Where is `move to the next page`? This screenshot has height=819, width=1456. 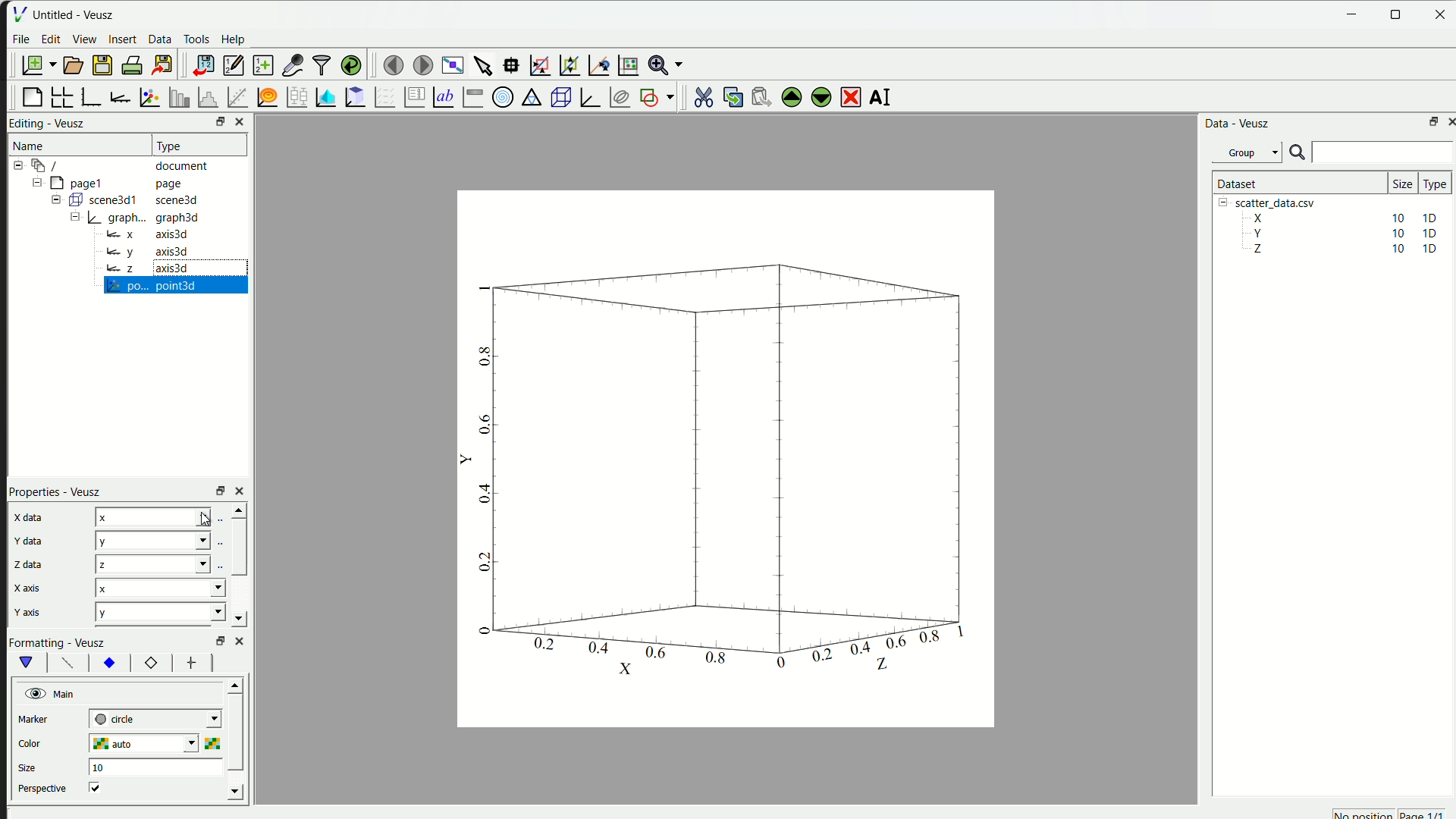
move to the next page is located at coordinates (420, 64).